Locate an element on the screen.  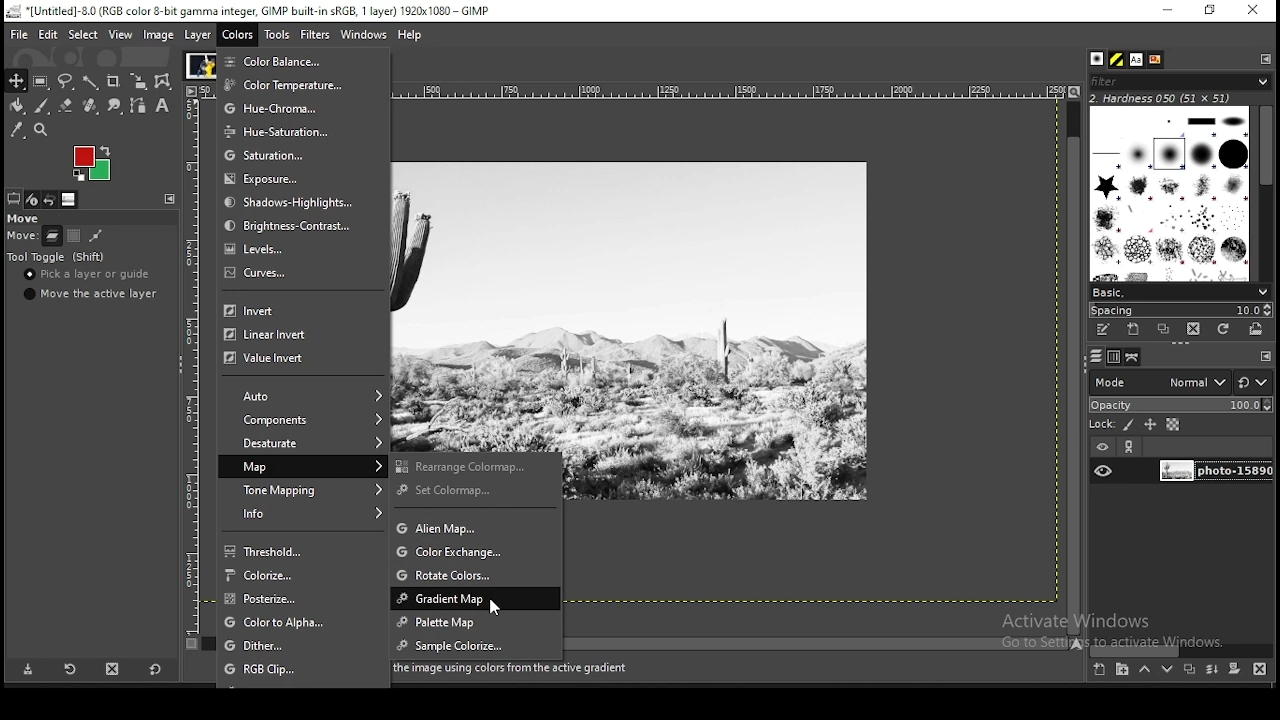
lock size and position is located at coordinates (1150, 424).